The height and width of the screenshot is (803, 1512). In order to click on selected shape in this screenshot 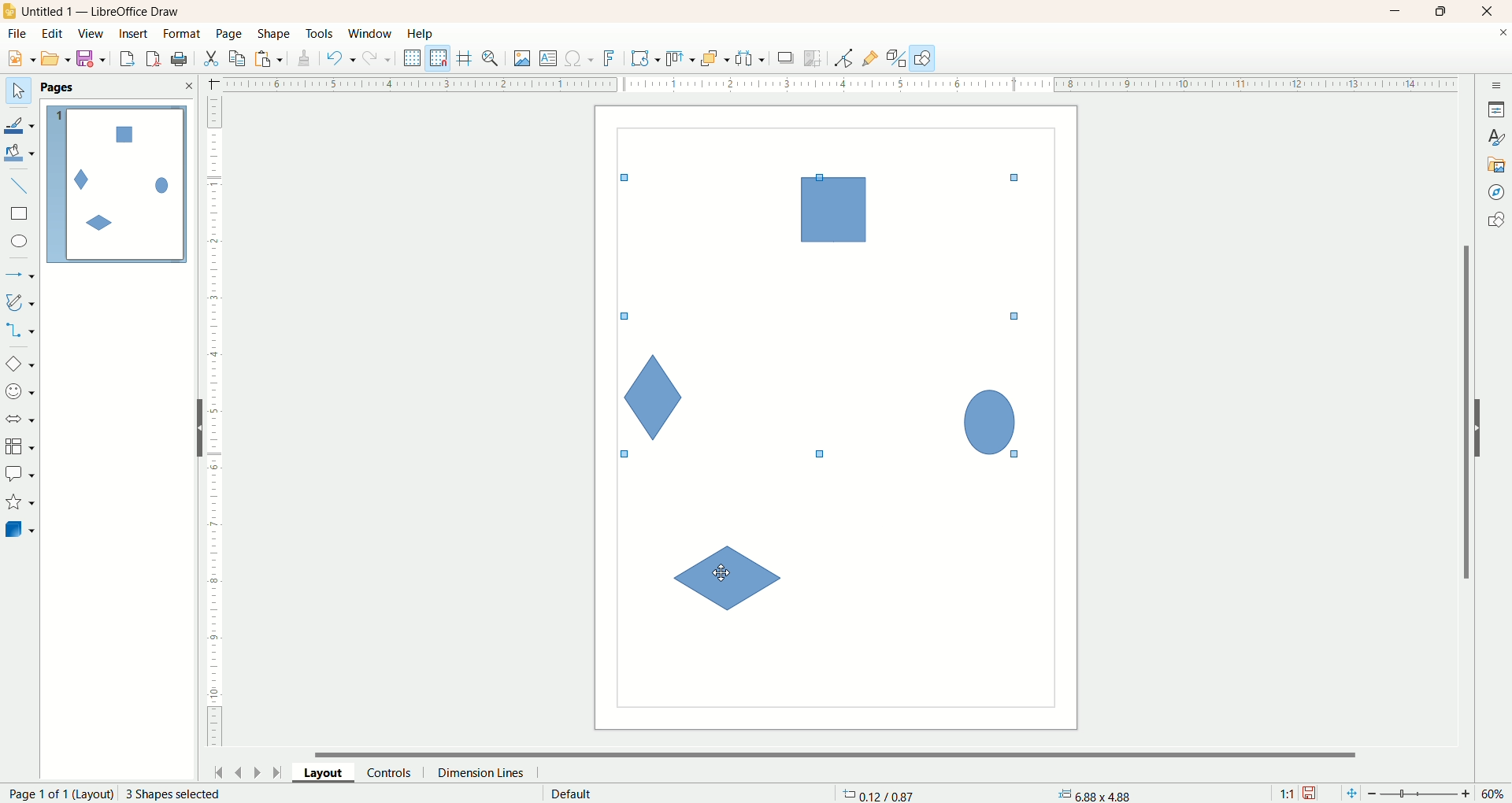, I will do `click(729, 577)`.